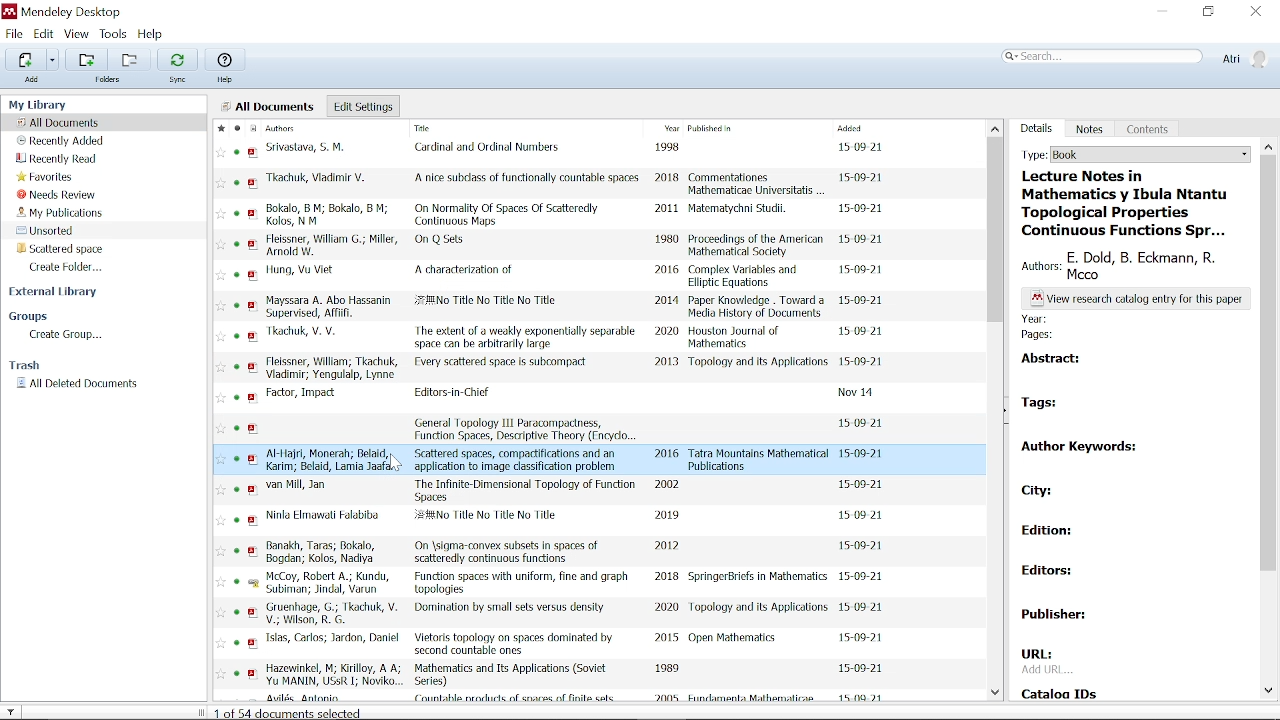  What do you see at coordinates (60, 248) in the screenshot?
I see `Folder "Scattered space"` at bounding box center [60, 248].